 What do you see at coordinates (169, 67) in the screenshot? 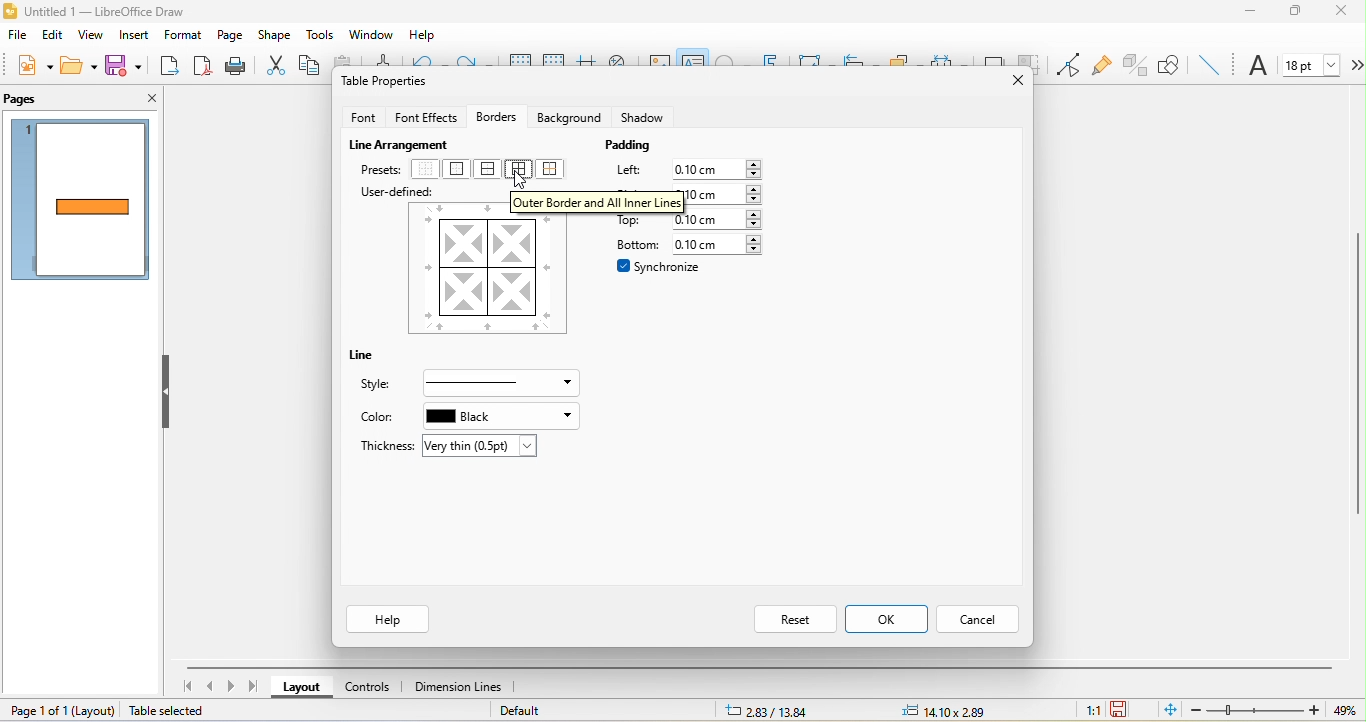
I see `export` at bounding box center [169, 67].